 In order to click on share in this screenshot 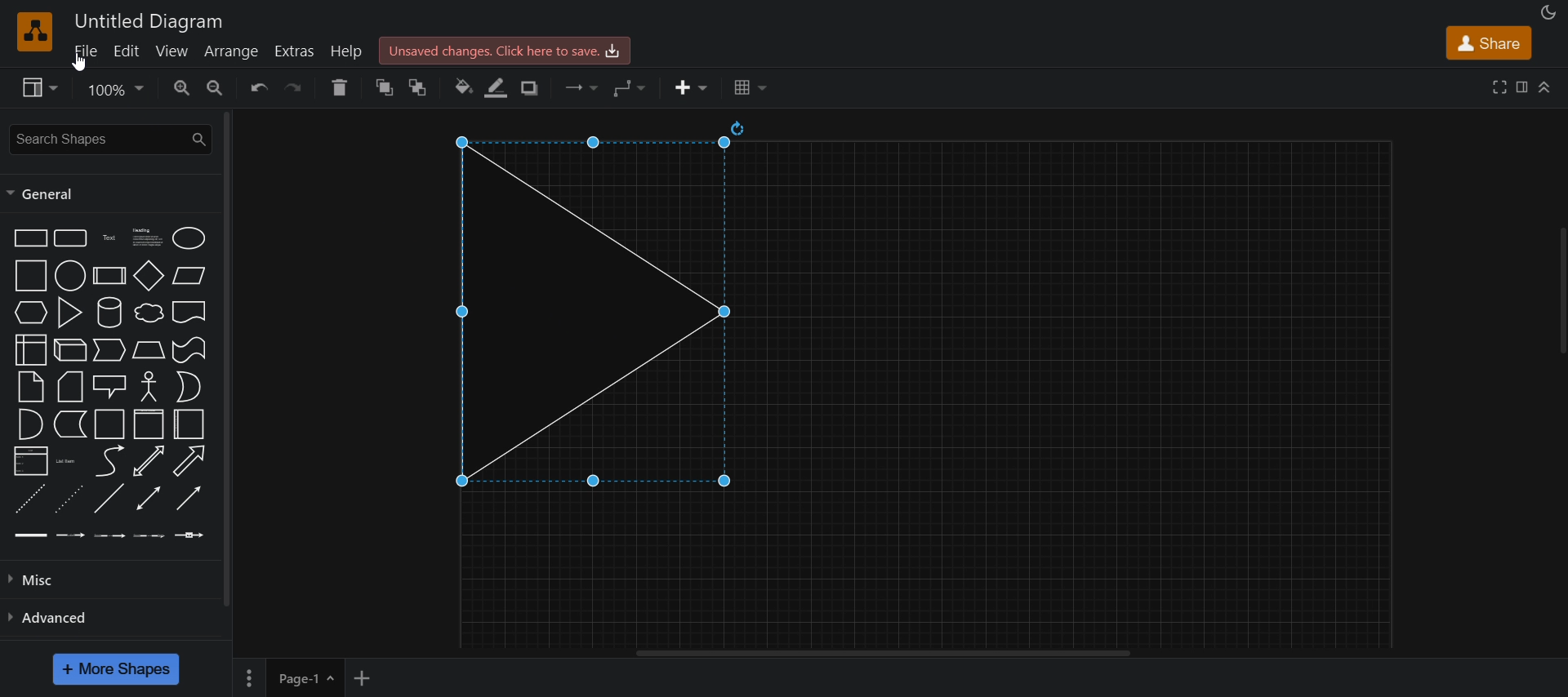, I will do `click(1487, 42)`.